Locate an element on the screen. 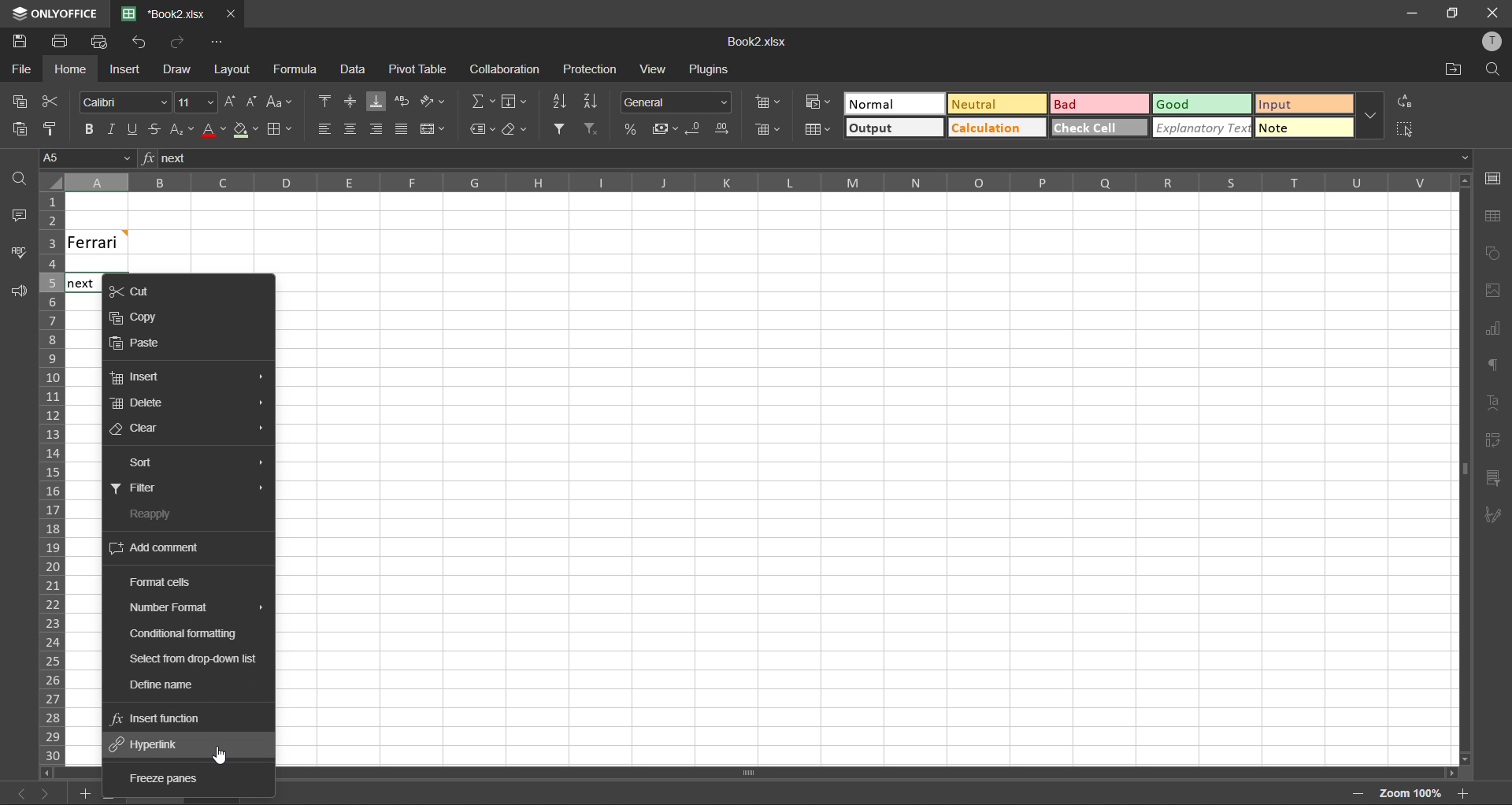  select from drop down list is located at coordinates (197, 660).